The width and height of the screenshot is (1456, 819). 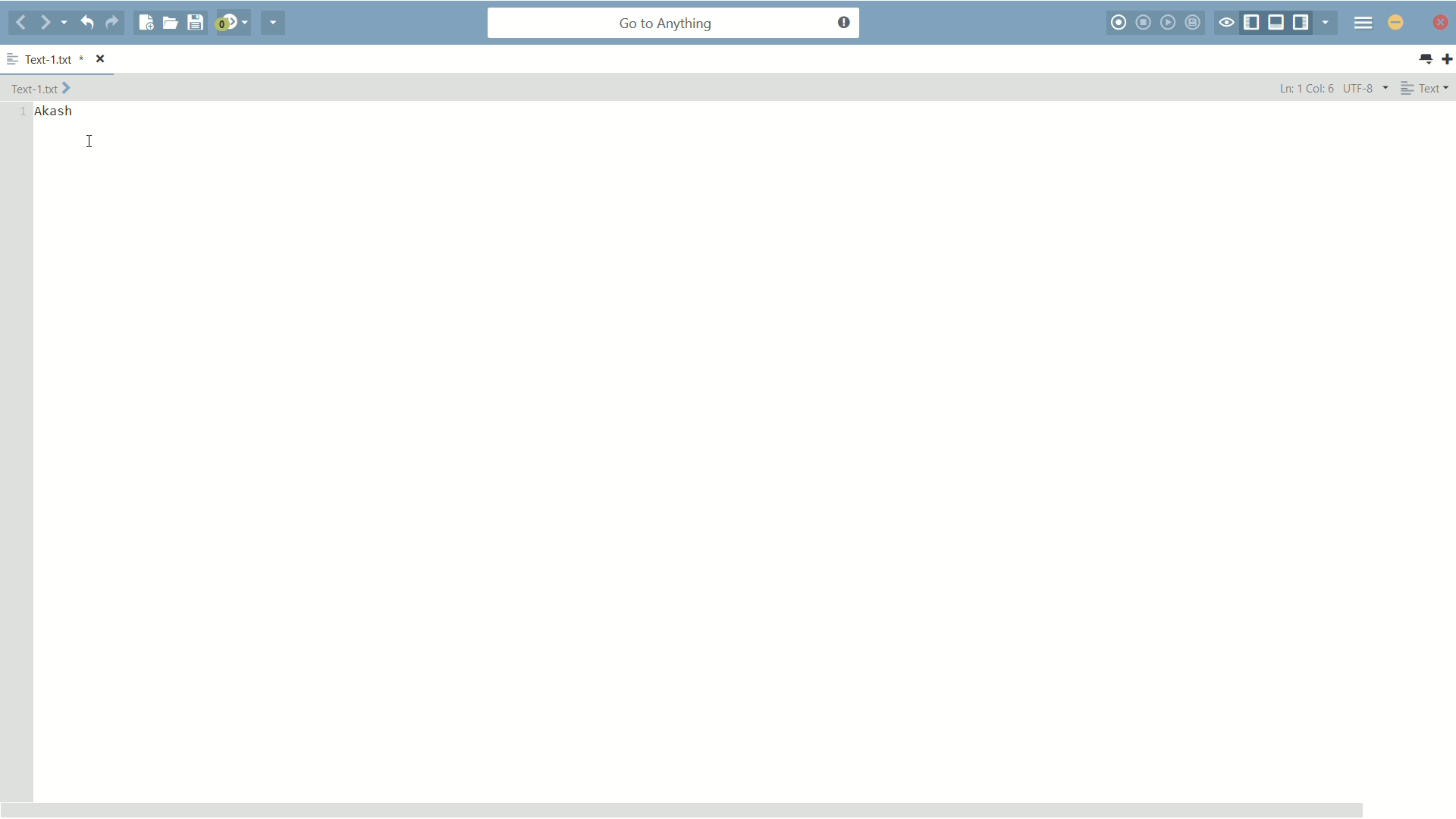 What do you see at coordinates (1367, 88) in the screenshot?
I see `line encoding` at bounding box center [1367, 88].